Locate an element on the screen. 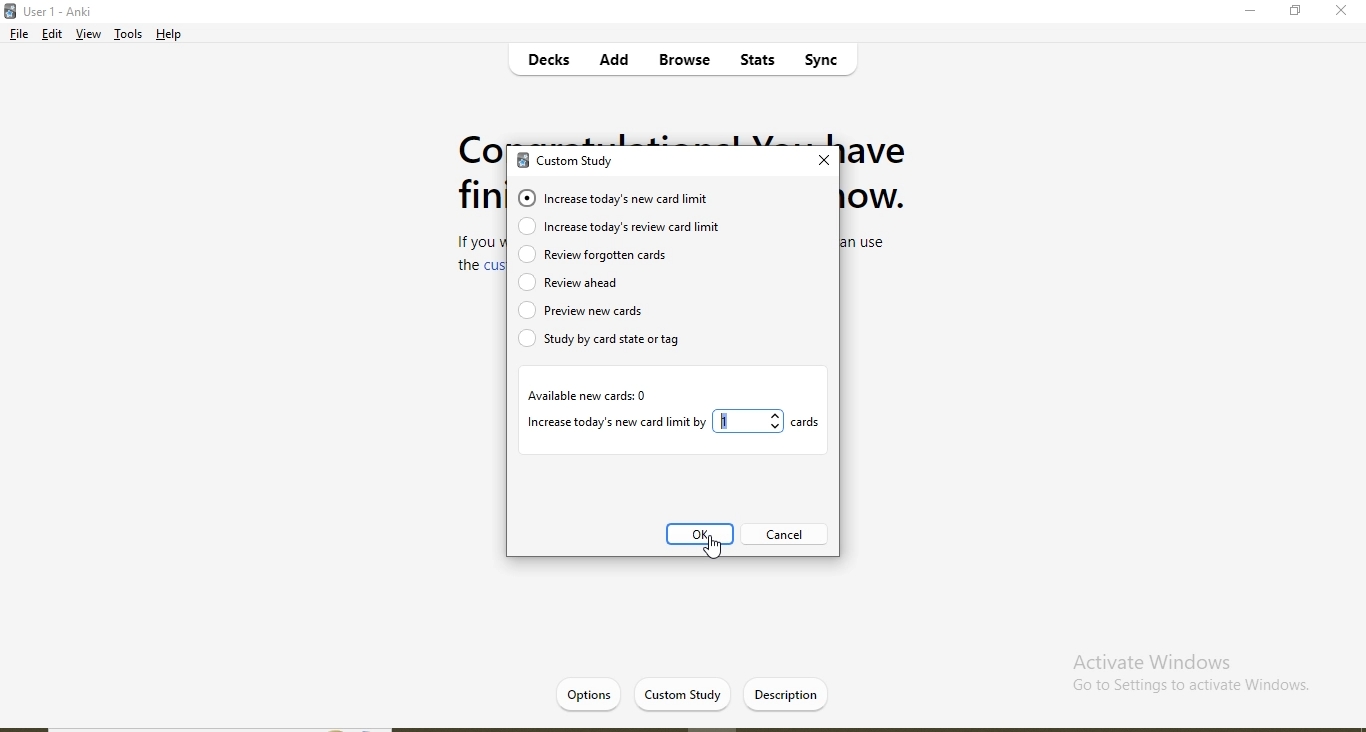  close is located at coordinates (824, 161).